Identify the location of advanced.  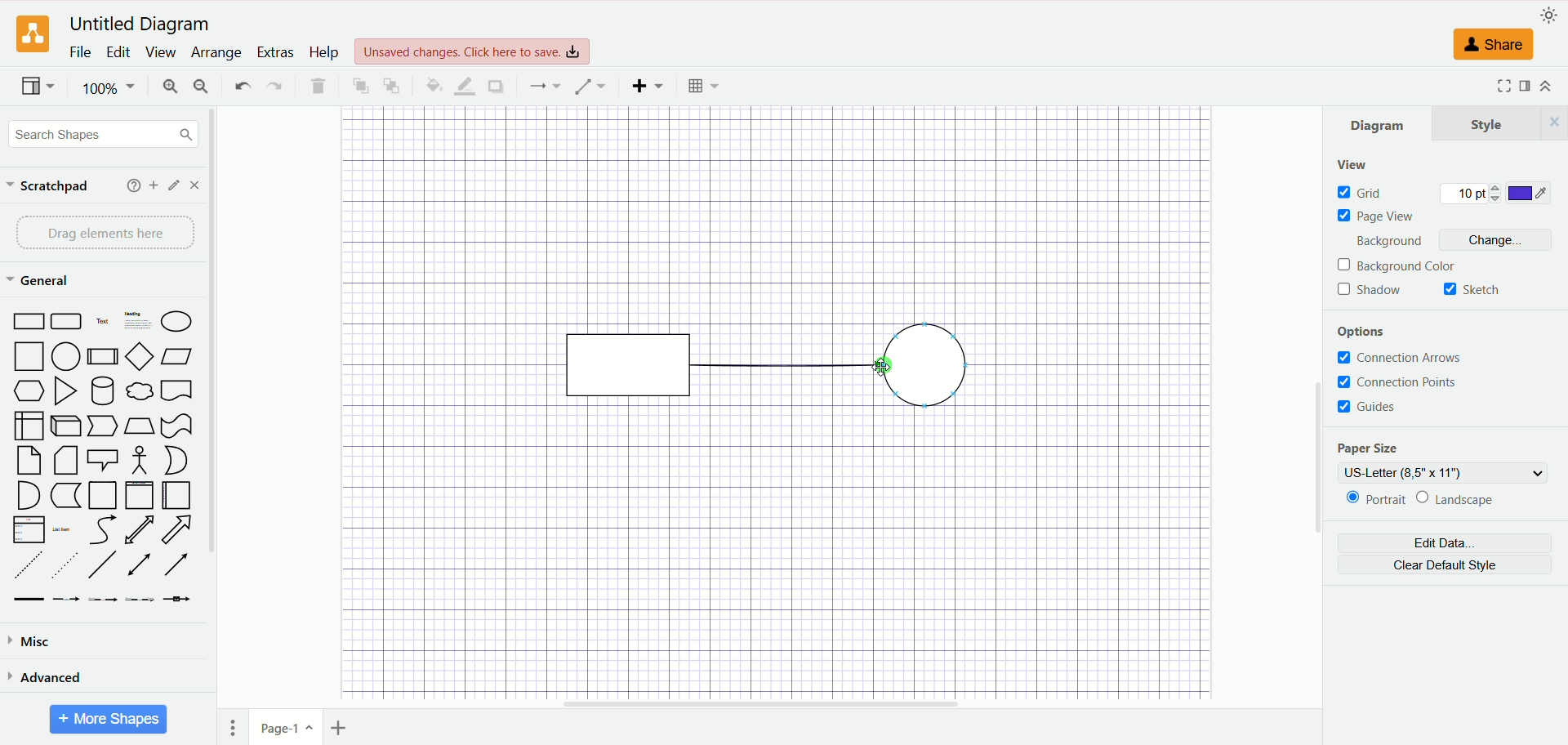
(47, 677).